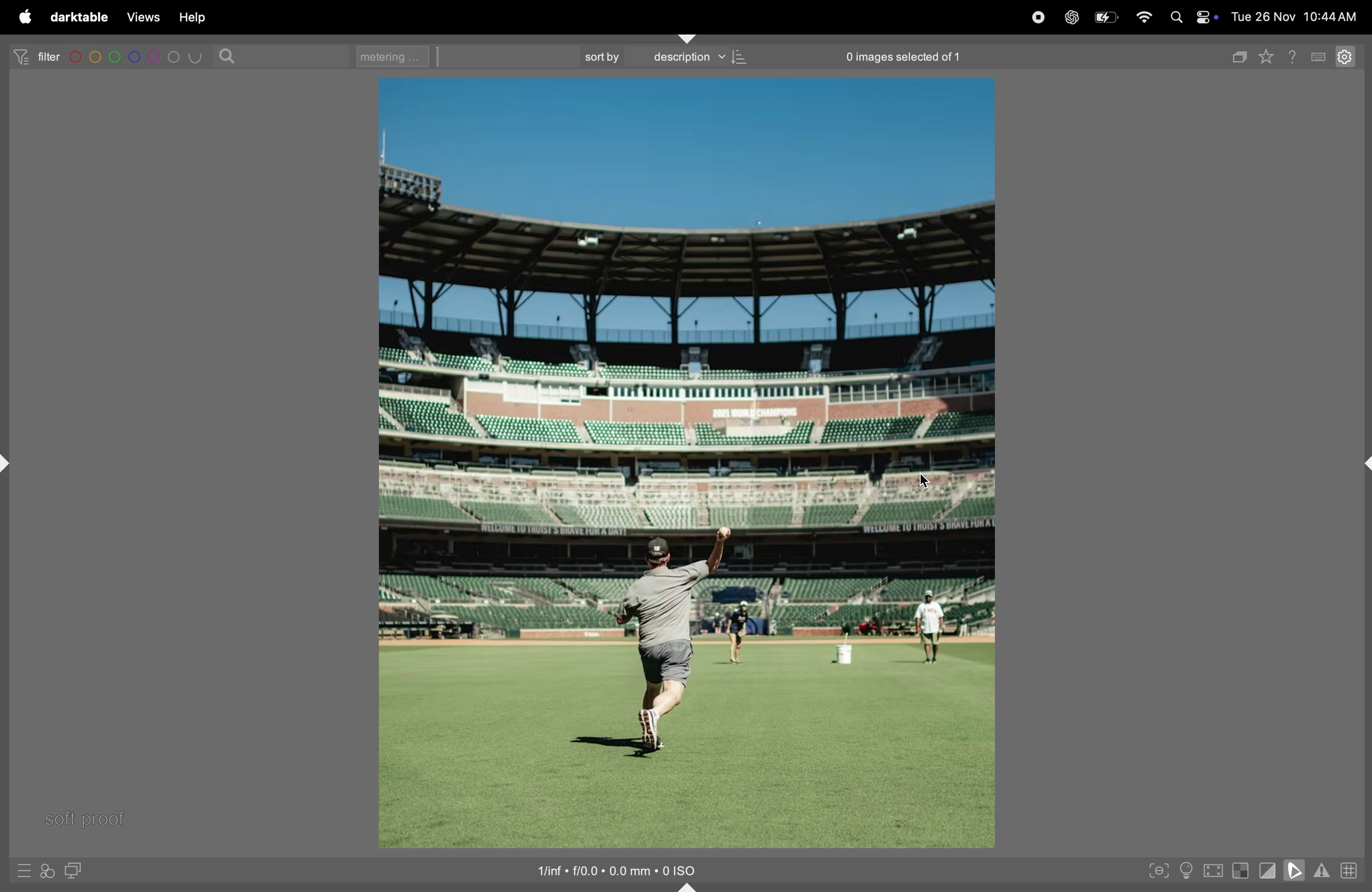  What do you see at coordinates (1242, 869) in the screenshot?
I see `toggle indications` at bounding box center [1242, 869].